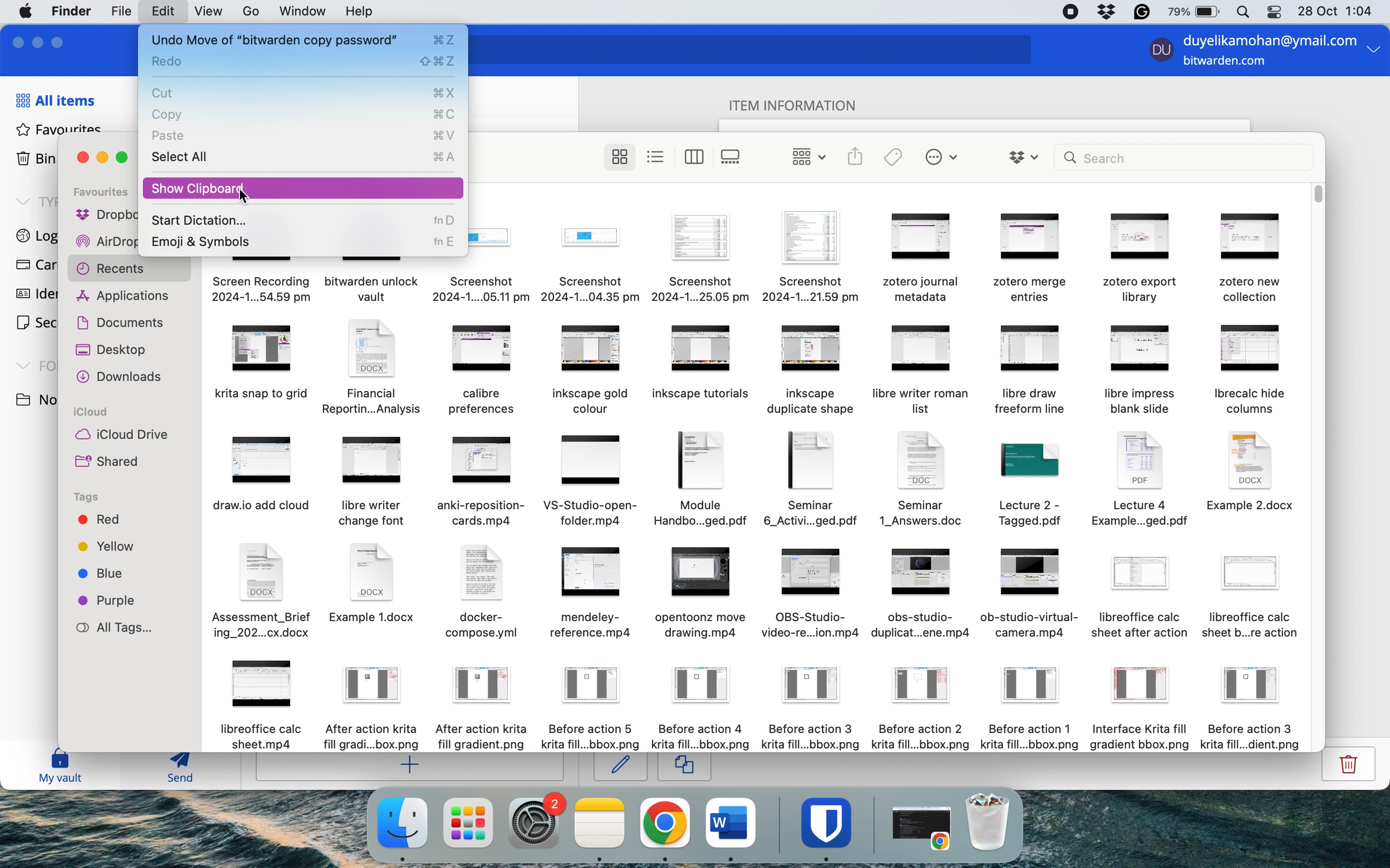 This screenshot has height=868, width=1390. What do you see at coordinates (1106, 12) in the screenshot?
I see `dropbox` at bounding box center [1106, 12].